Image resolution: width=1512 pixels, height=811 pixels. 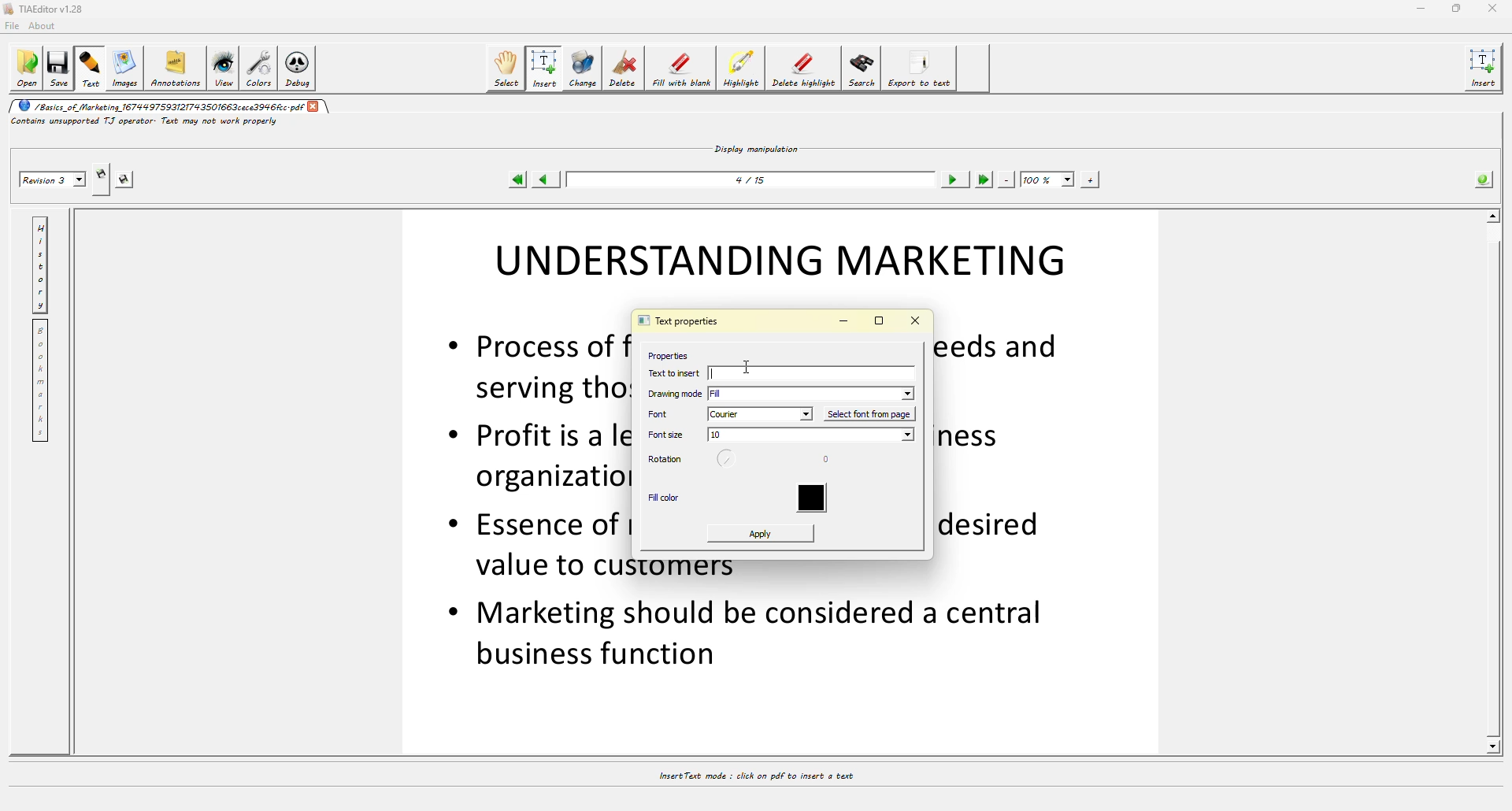 I want to click on text cursor, so click(x=749, y=365).